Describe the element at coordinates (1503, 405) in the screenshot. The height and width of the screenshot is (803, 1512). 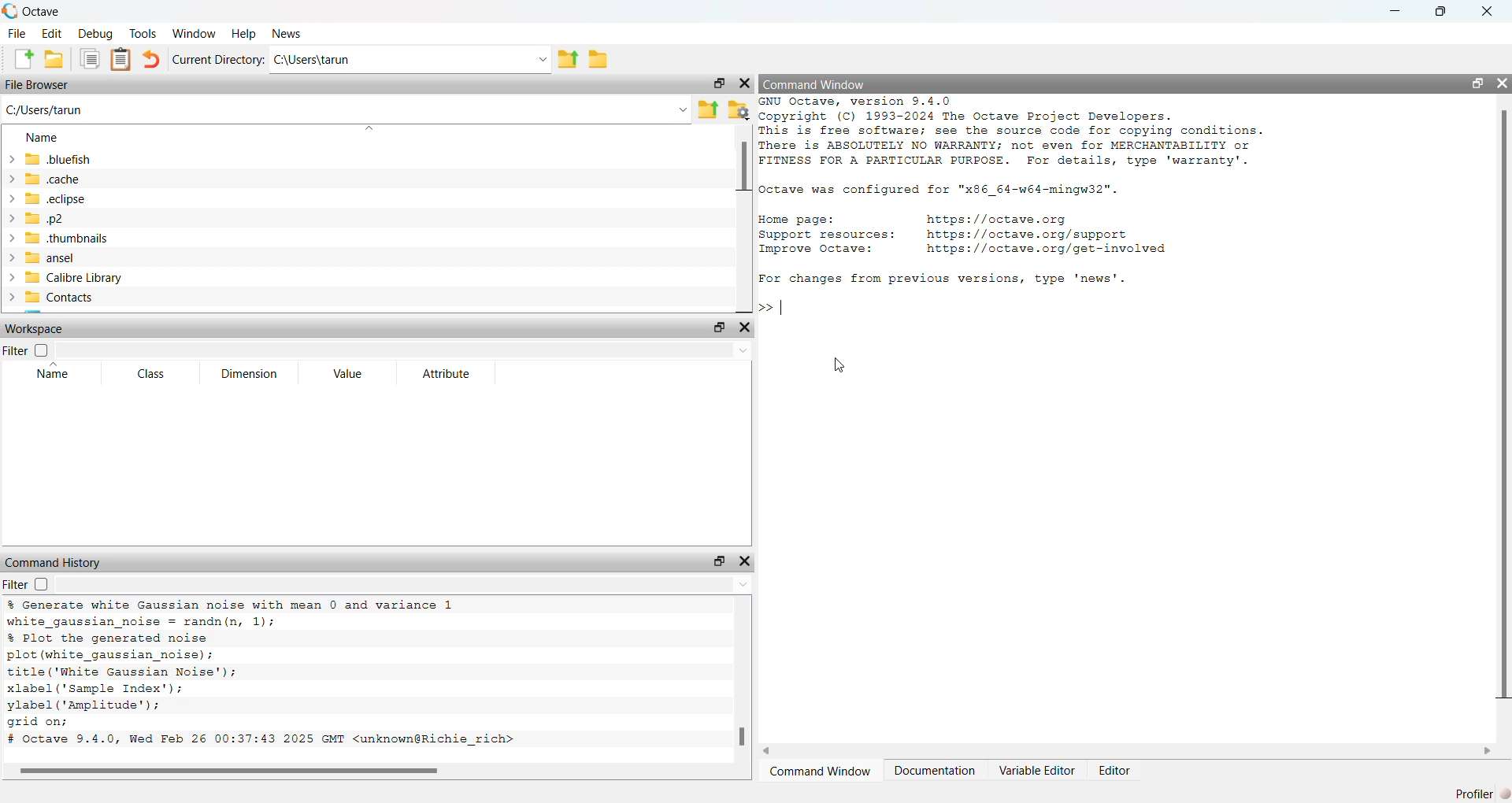
I see `vertical scroll bar` at that location.